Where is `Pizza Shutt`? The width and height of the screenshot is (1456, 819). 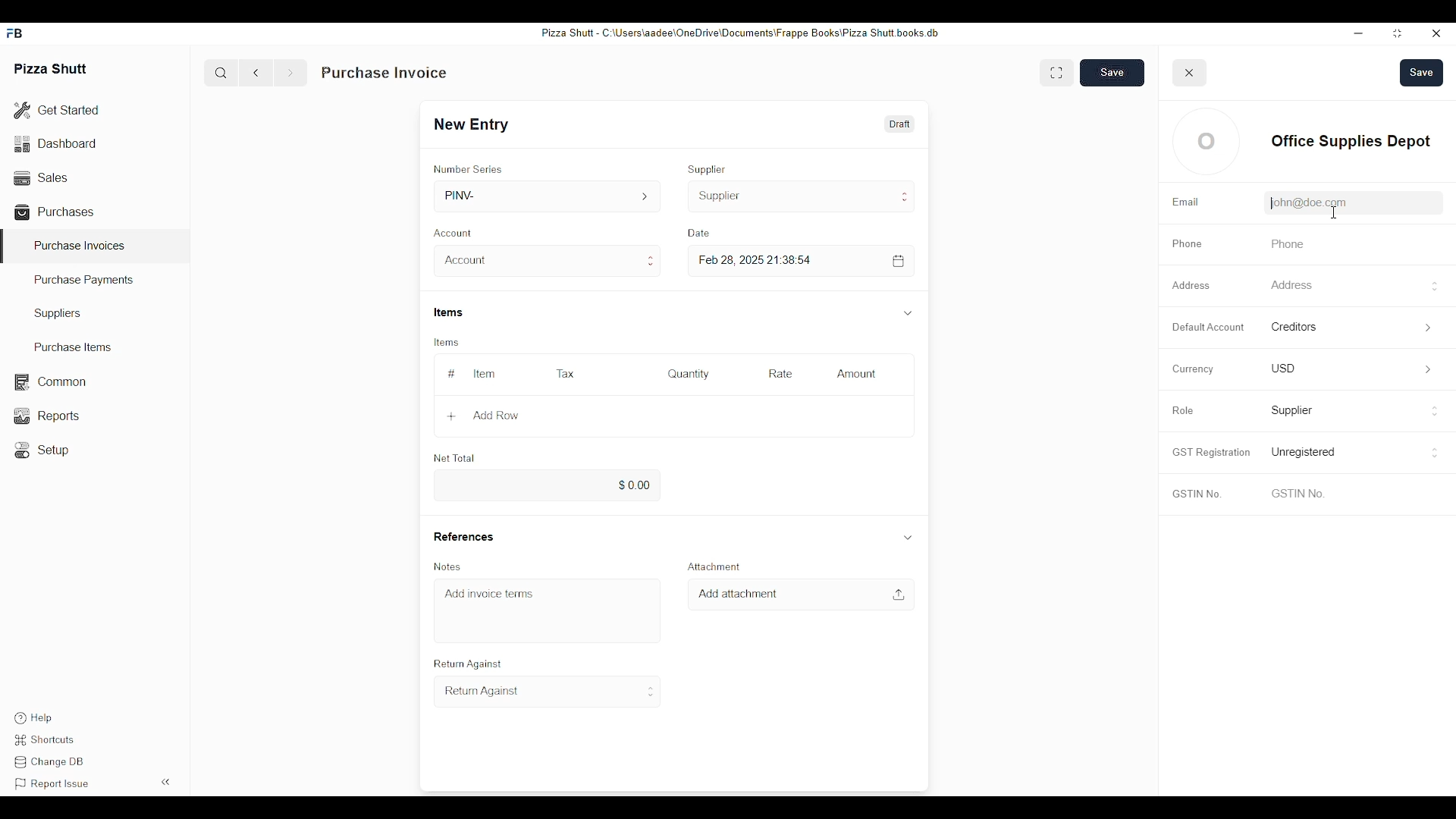 Pizza Shutt is located at coordinates (52, 67).